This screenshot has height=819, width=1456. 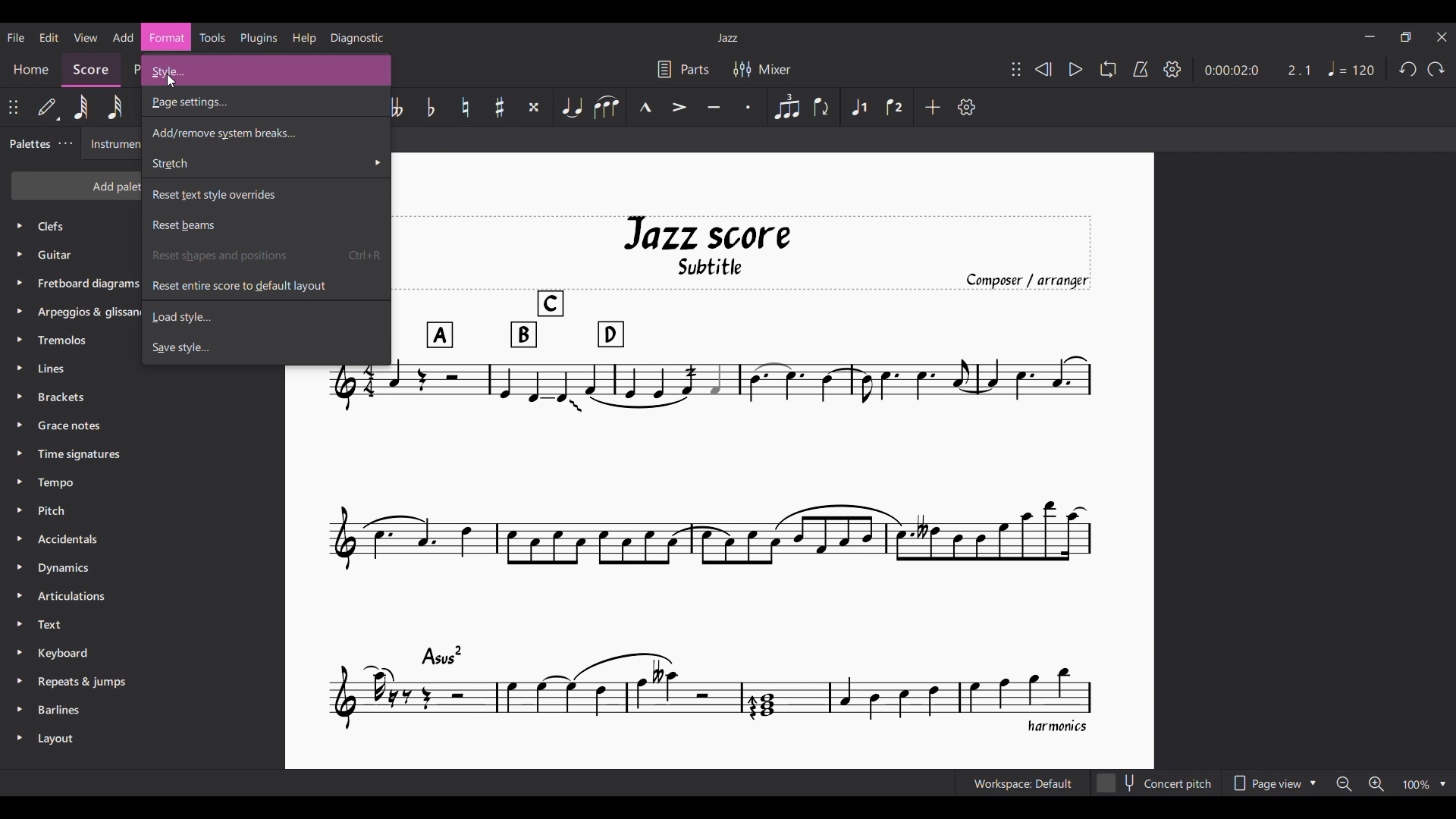 I want to click on Arpeggios, so click(x=88, y=313).